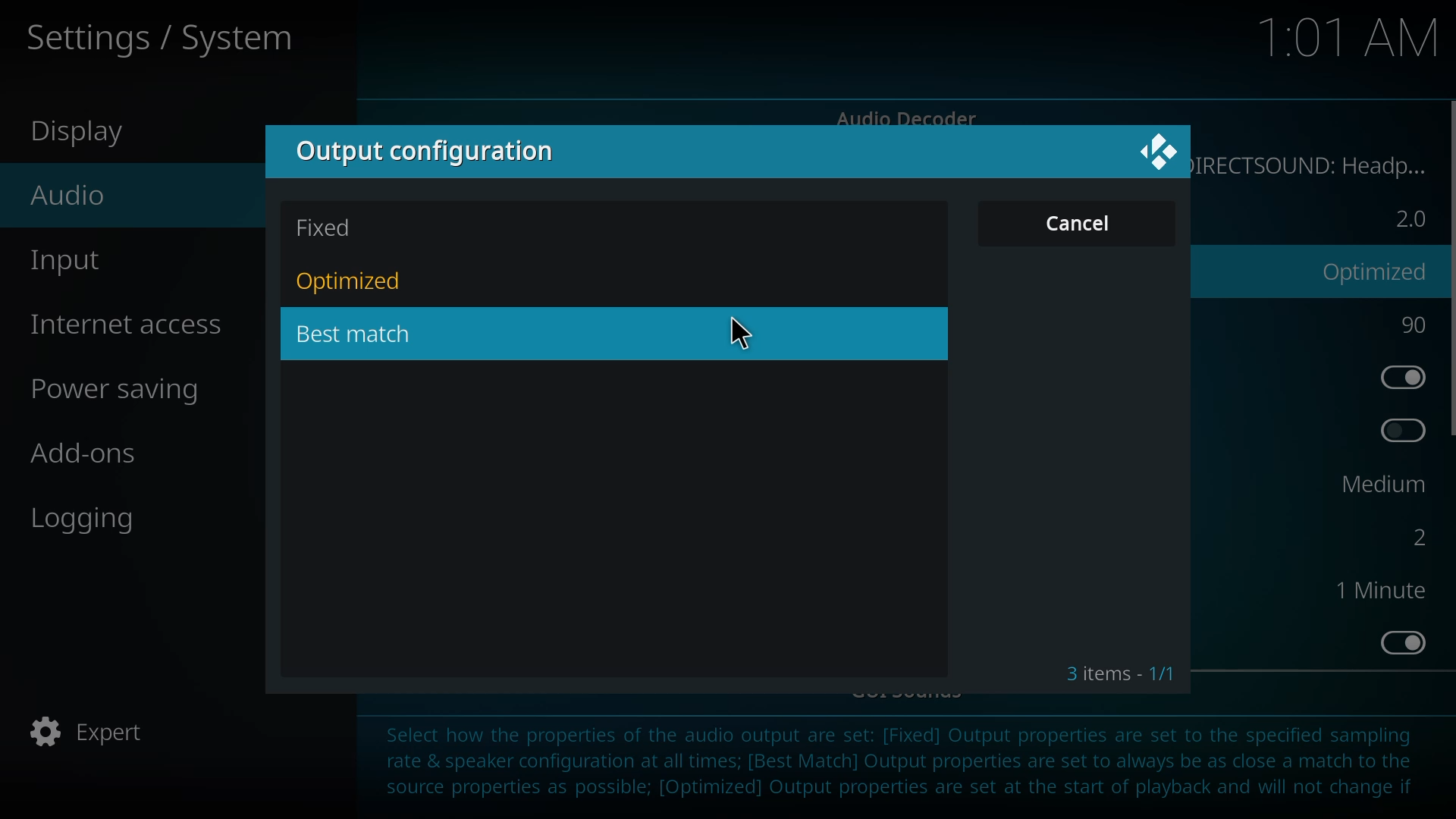 The image size is (1456, 819). What do you see at coordinates (743, 334) in the screenshot?
I see `cursor` at bounding box center [743, 334].